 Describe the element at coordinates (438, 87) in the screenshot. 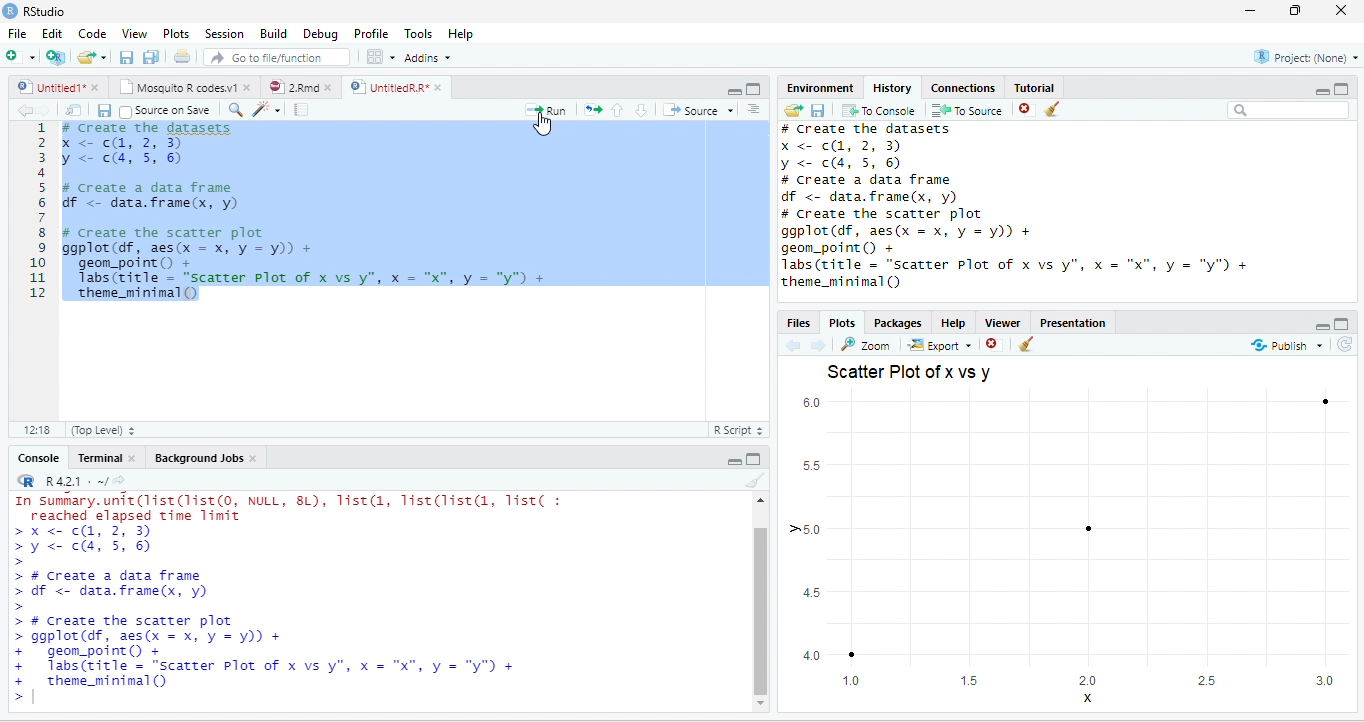

I see `close` at that location.